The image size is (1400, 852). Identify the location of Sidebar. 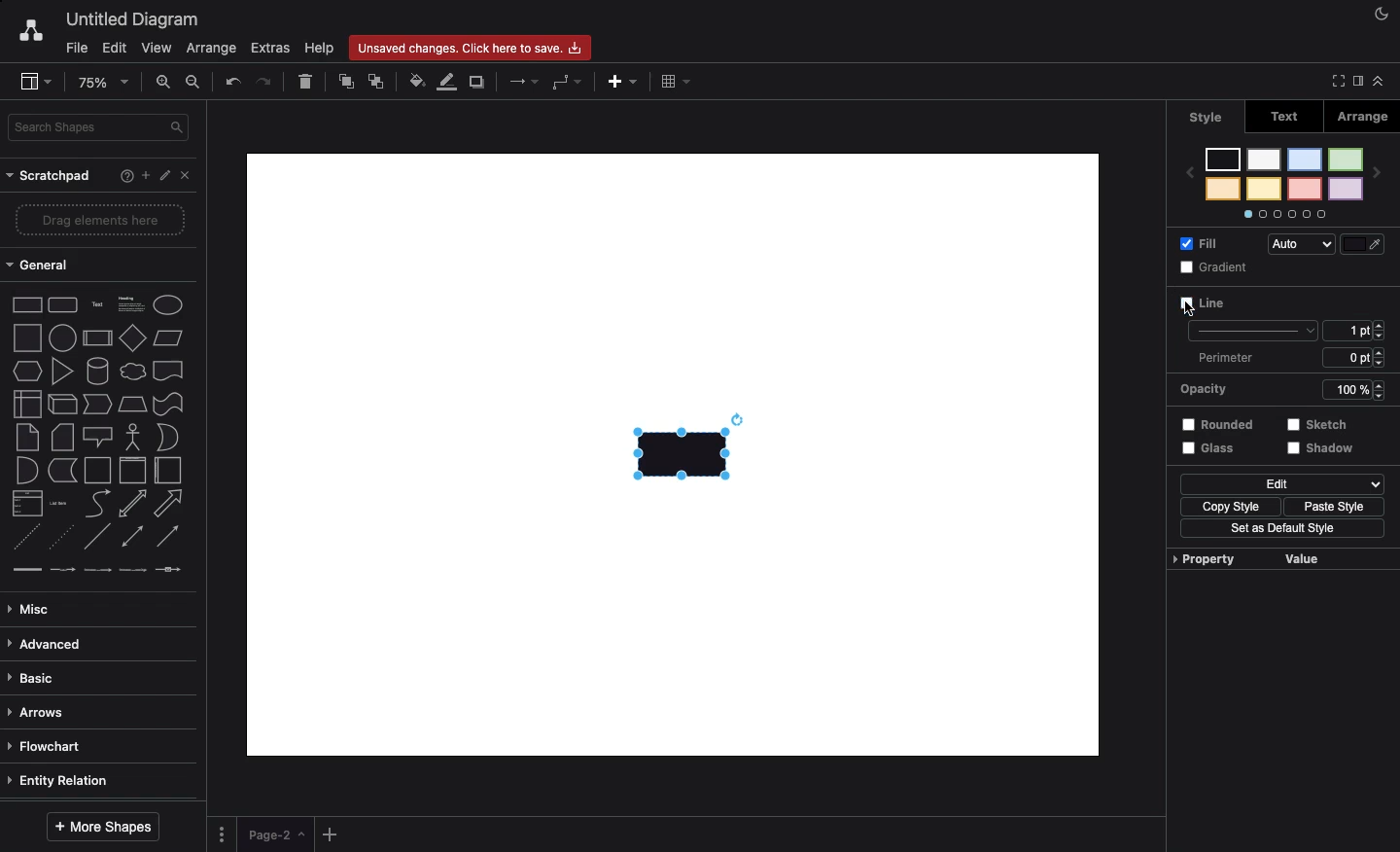
(1354, 83).